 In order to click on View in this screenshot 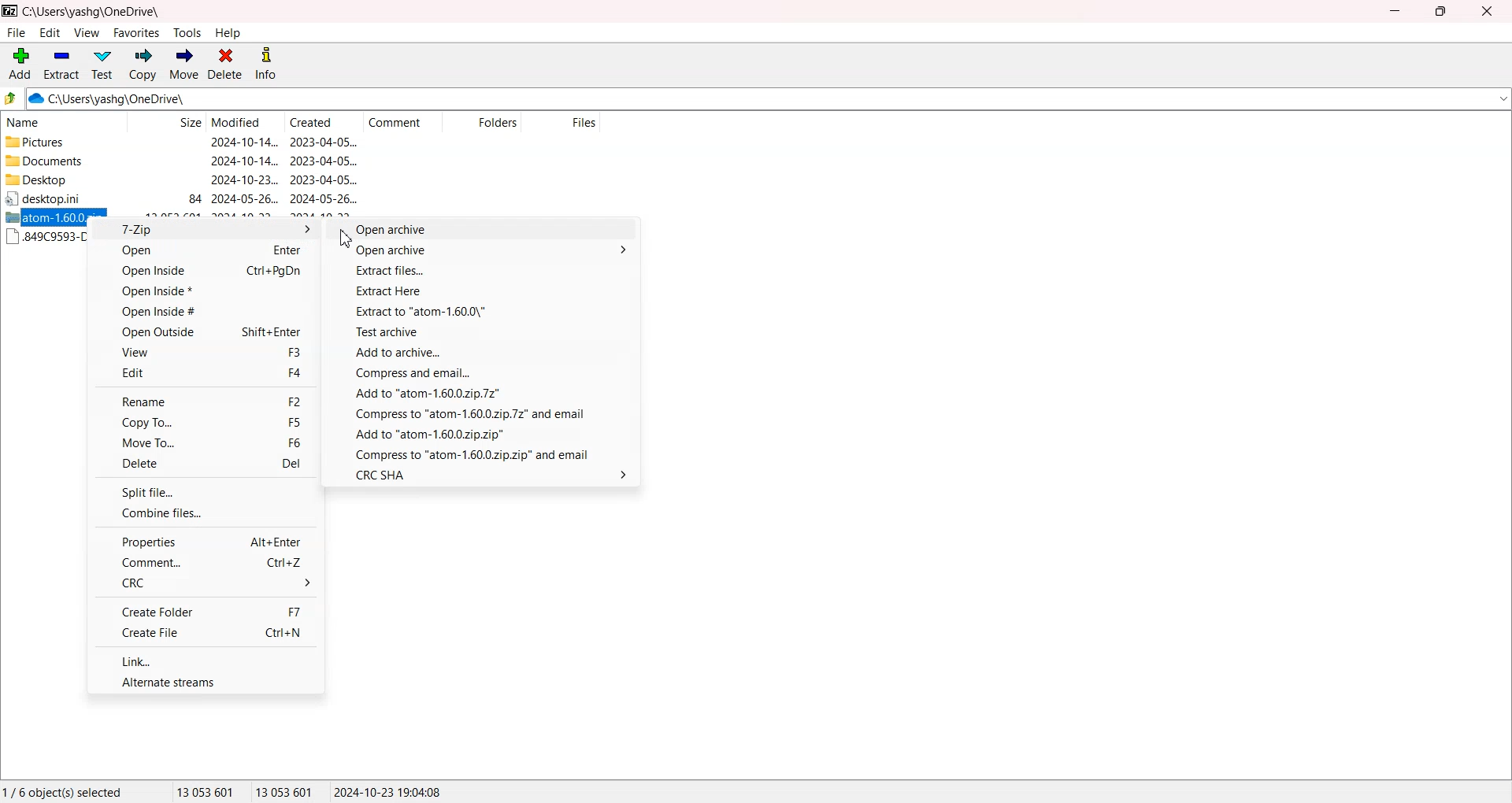, I will do `click(205, 352)`.